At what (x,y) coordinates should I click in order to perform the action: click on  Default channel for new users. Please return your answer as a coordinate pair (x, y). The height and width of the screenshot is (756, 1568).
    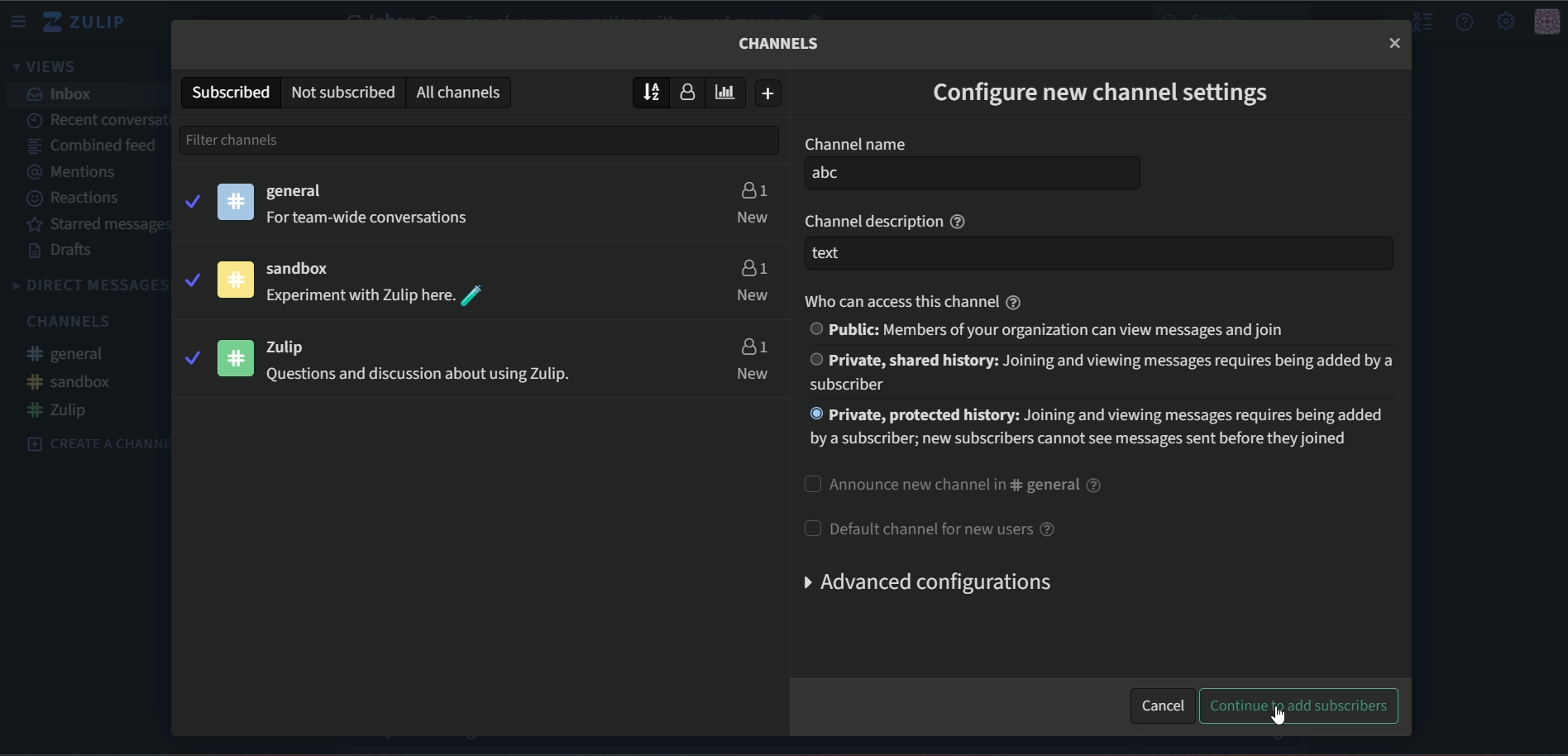
    Looking at the image, I should click on (929, 527).